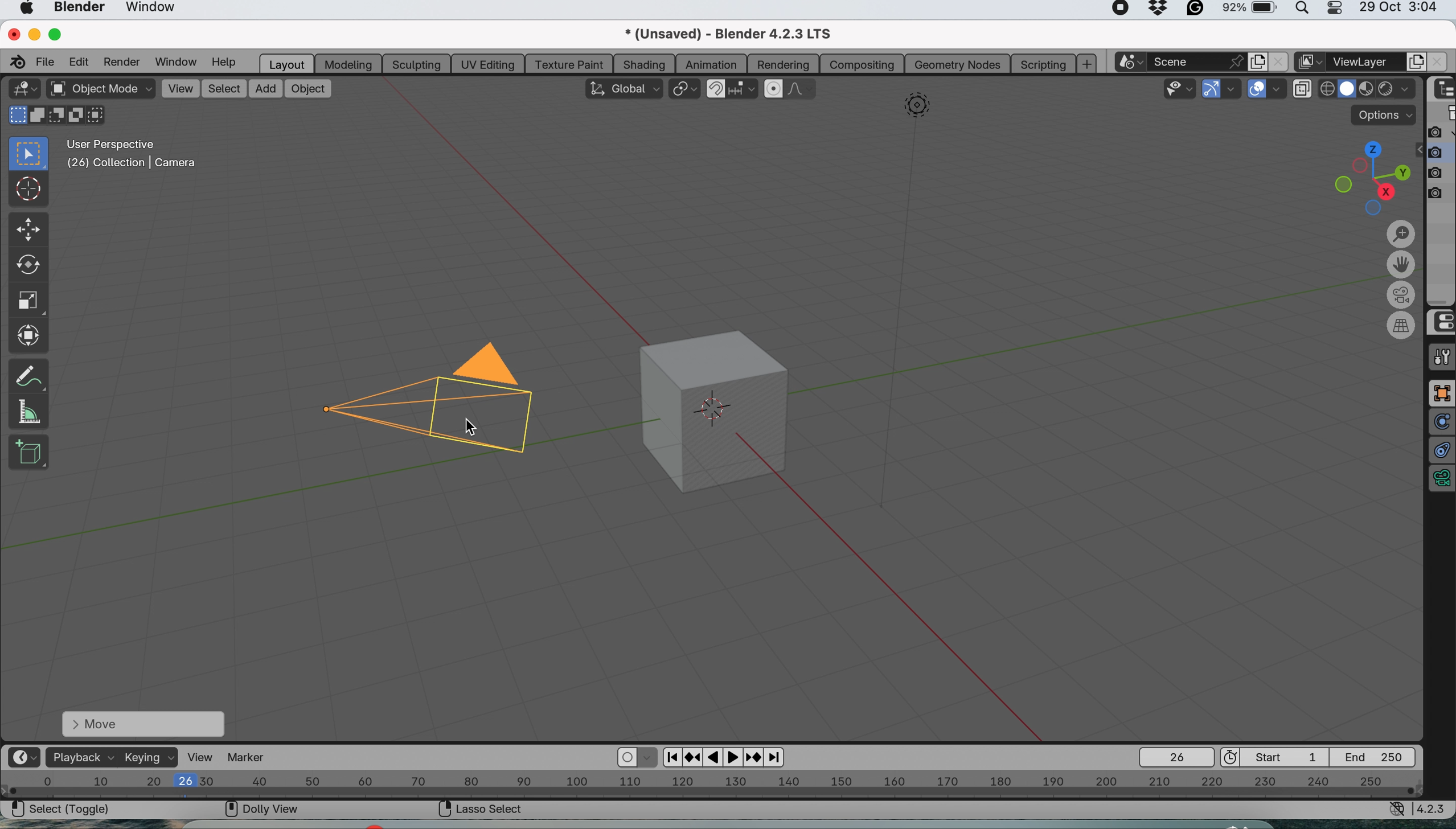  What do you see at coordinates (308, 88) in the screenshot?
I see `object` at bounding box center [308, 88].